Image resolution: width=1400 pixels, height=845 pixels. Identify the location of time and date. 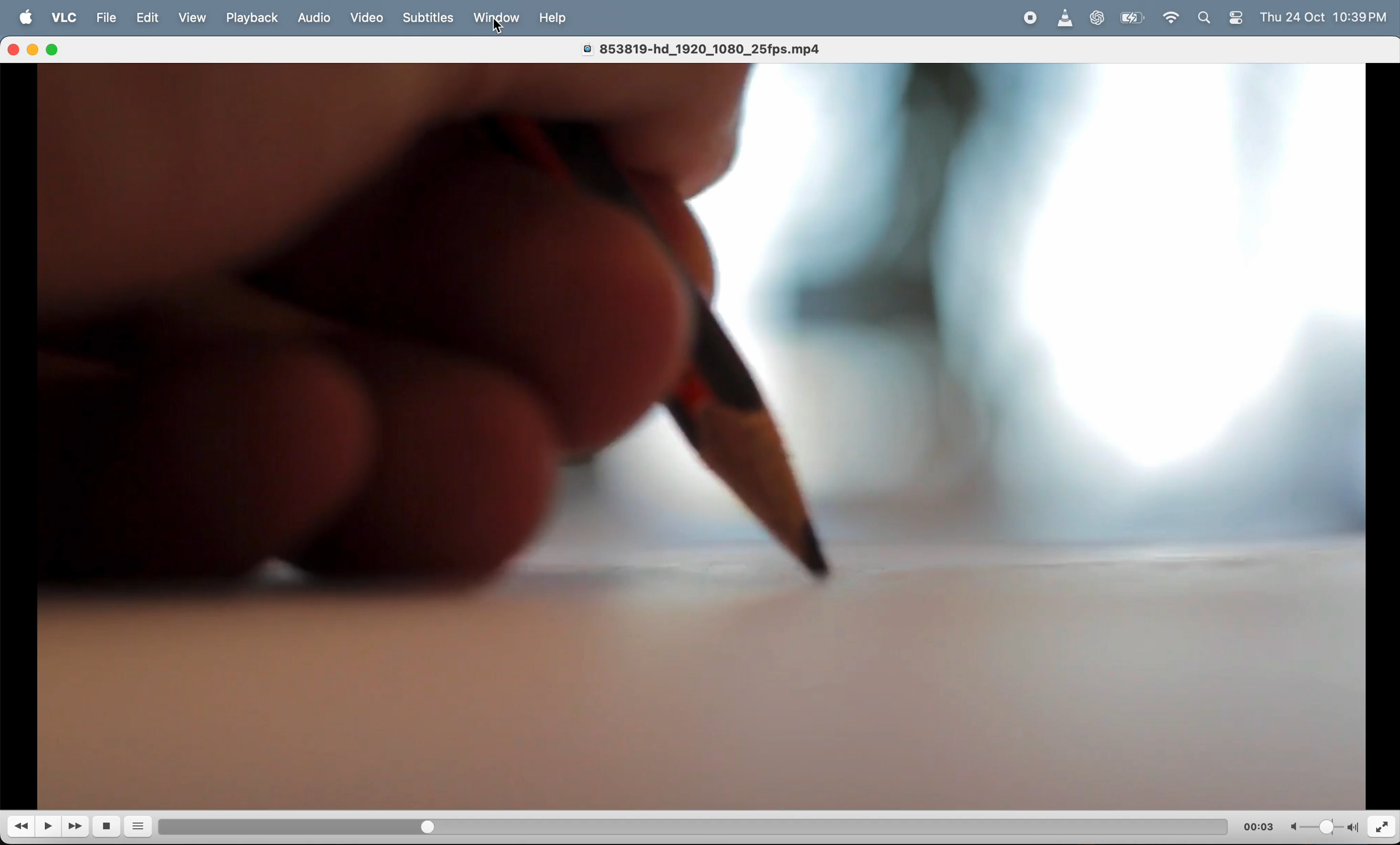
(1328, 16).